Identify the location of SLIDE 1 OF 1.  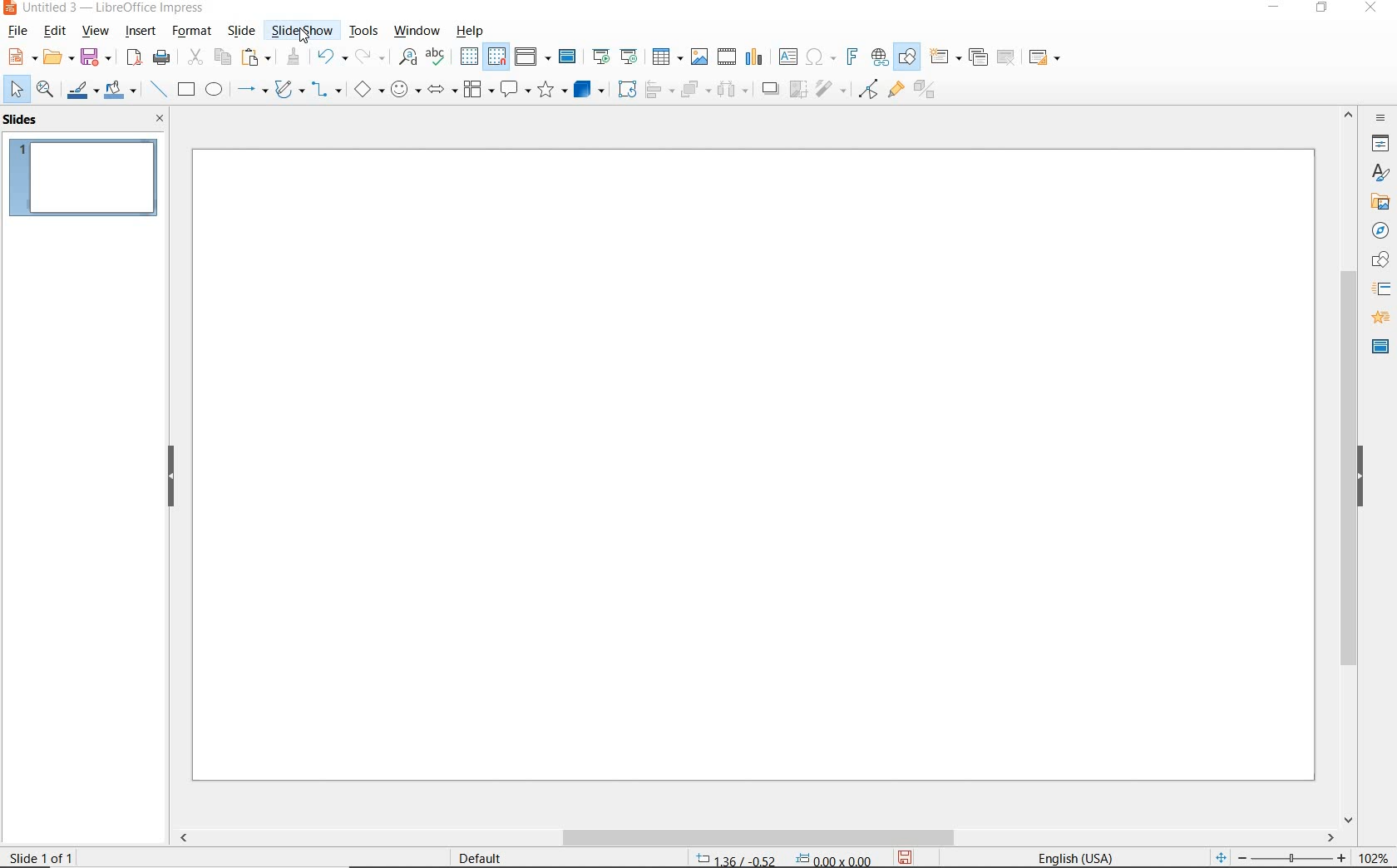
(40, 857).